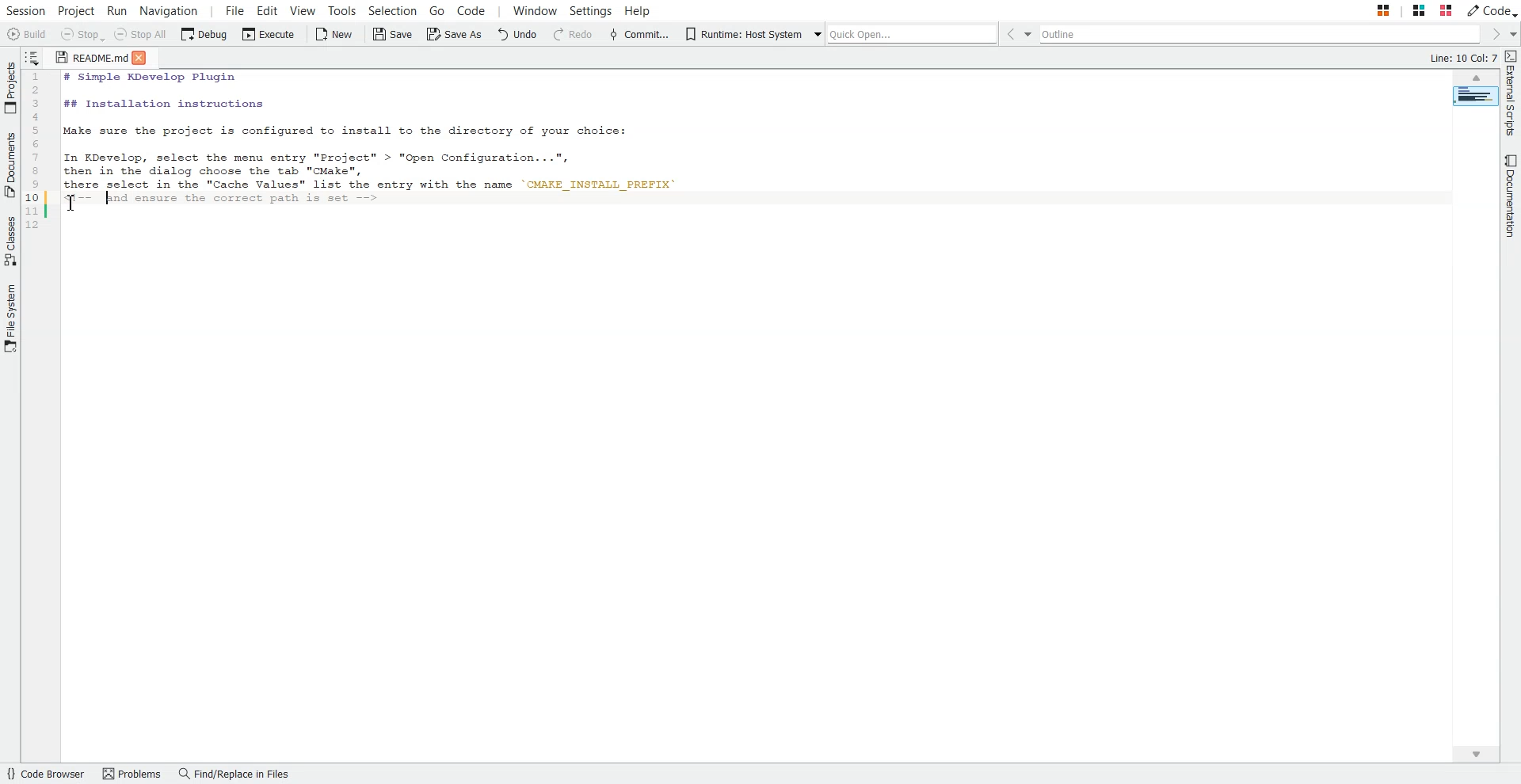  Describe the element at coordinates (1264, 34) in the screenshot. I see `Outline` at that location.